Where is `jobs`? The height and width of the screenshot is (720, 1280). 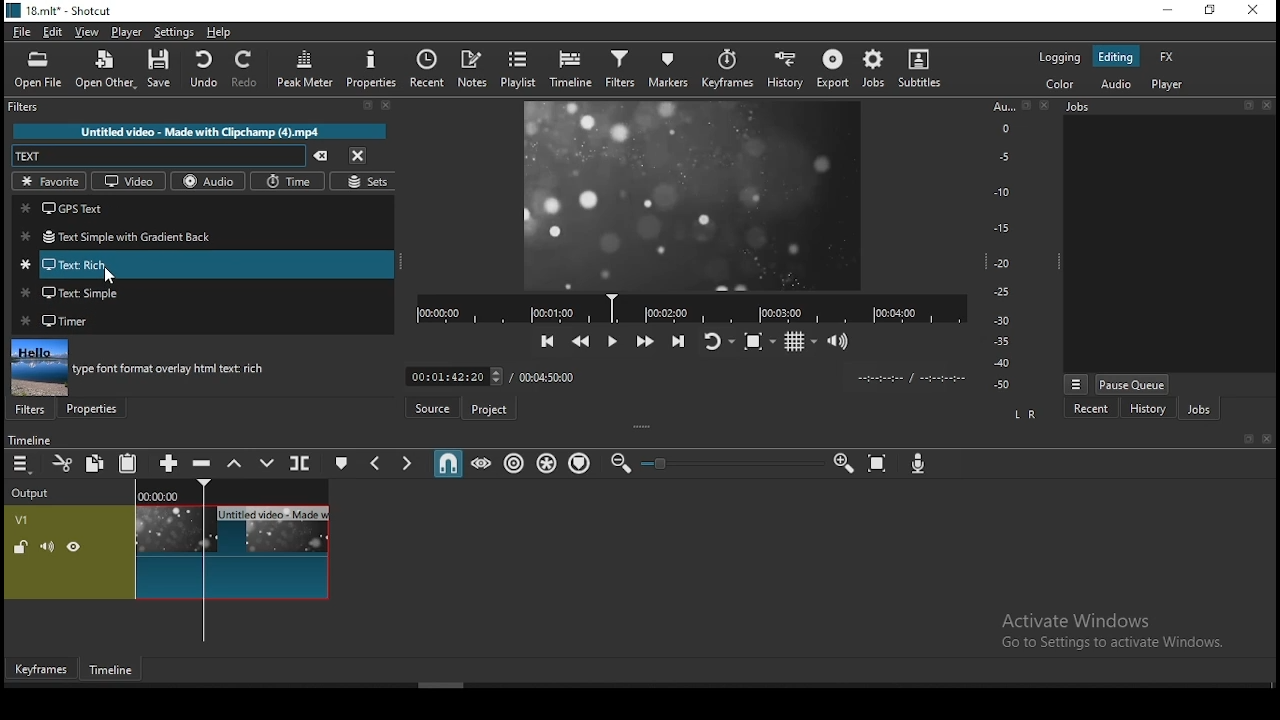 jobs is located at coordinates (875, 70).